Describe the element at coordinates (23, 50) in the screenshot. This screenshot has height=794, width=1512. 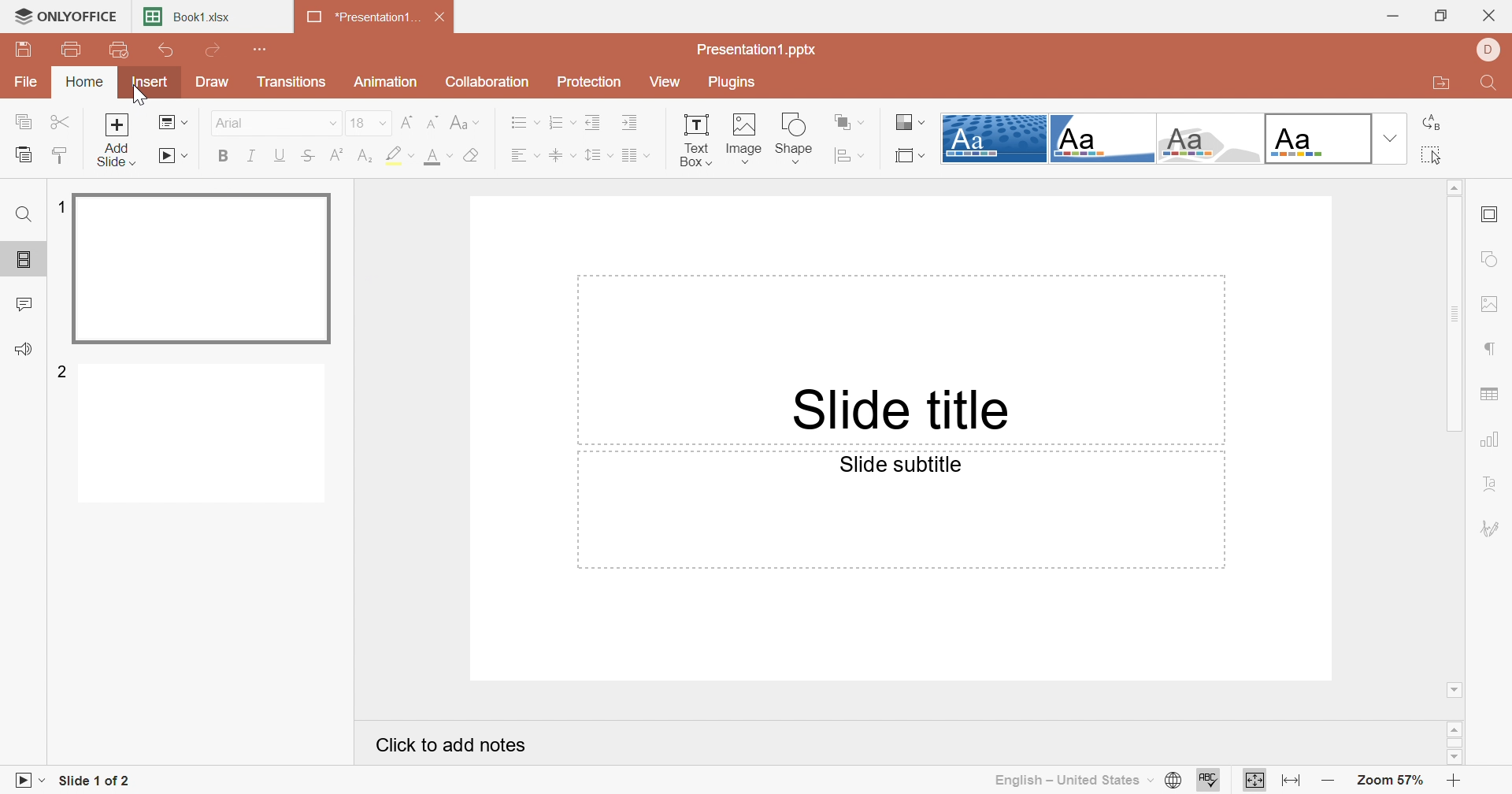
I see `Save` at that location.